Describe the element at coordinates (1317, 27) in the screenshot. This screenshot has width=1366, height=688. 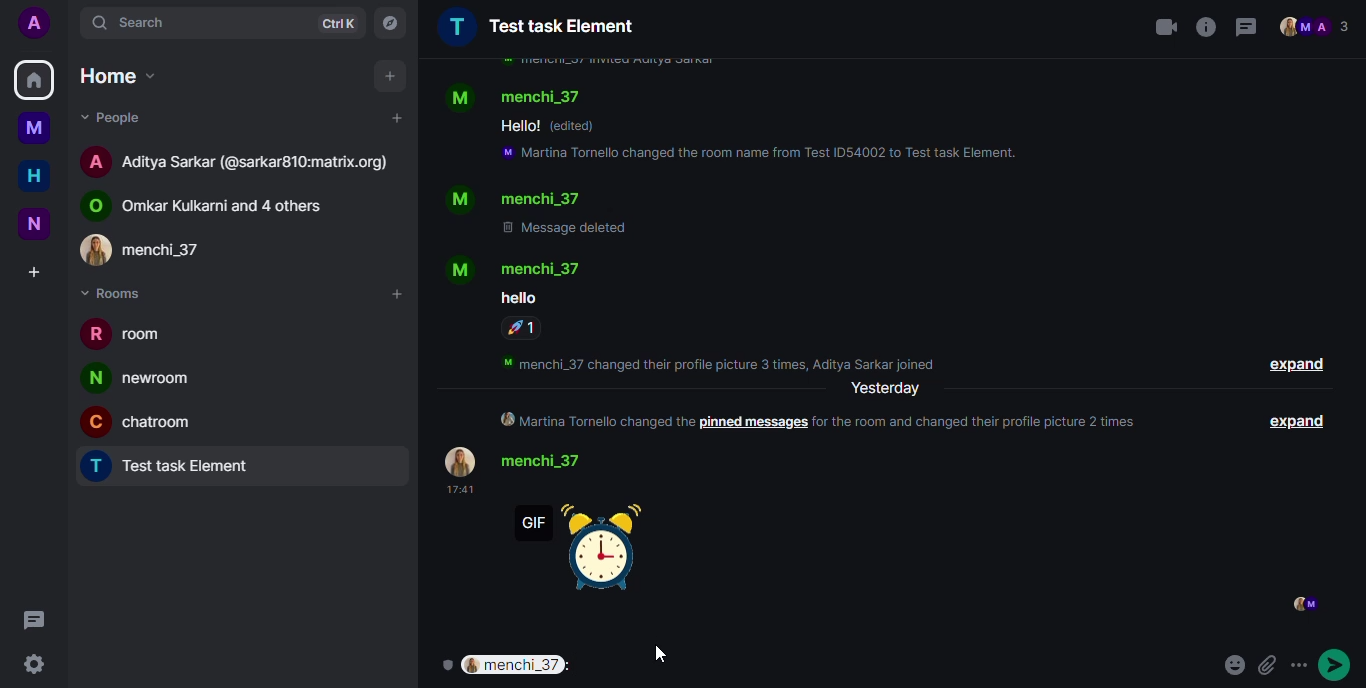
I see `people` at that location.